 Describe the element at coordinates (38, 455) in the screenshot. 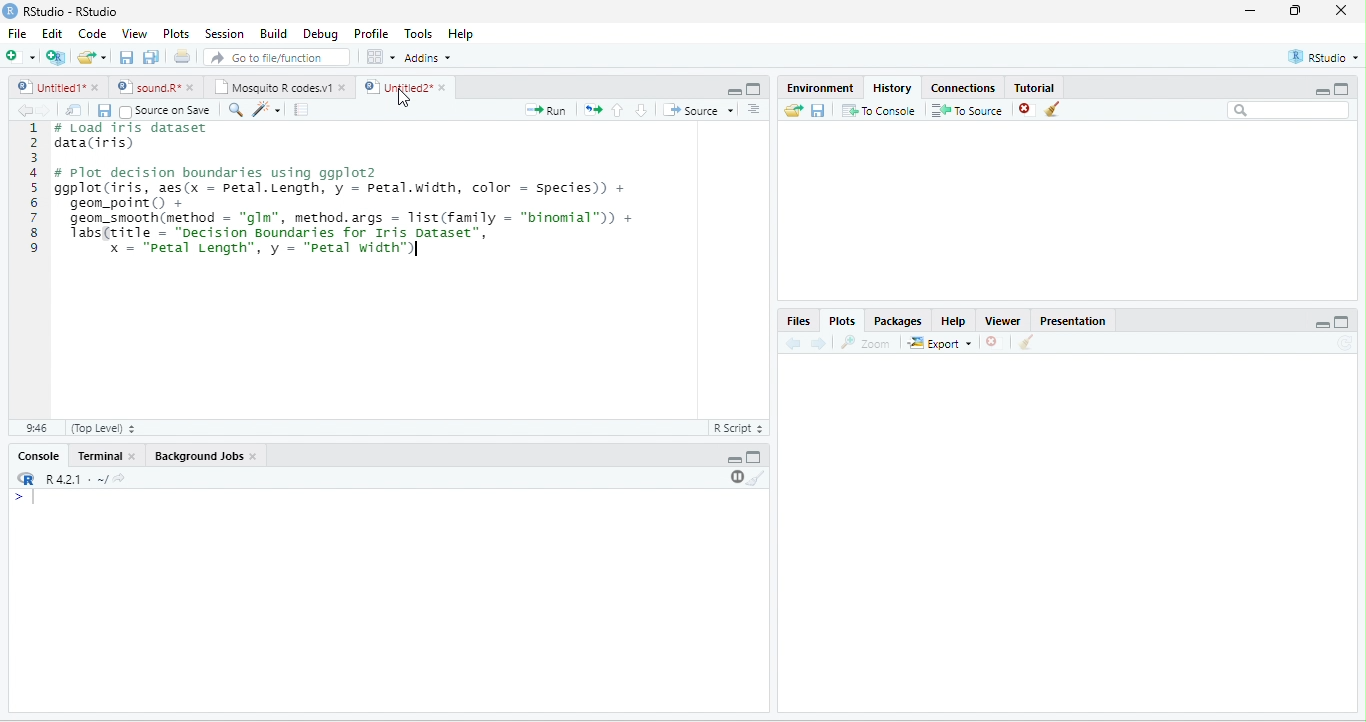

I see `Console` at that location.